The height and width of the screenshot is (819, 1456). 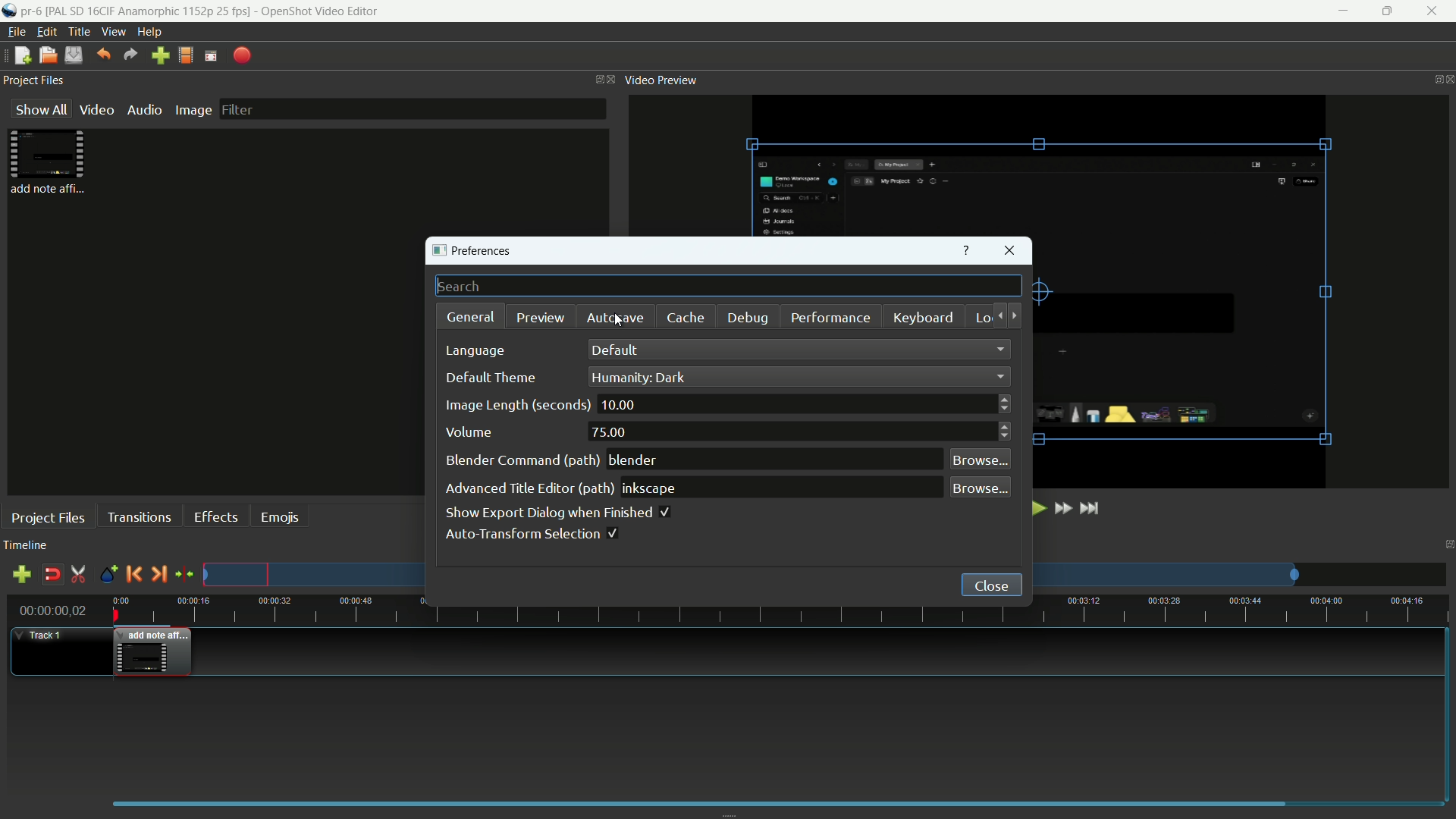 What do you see at coordinates (149, 11) in the screenshot?
I see `profile` at bounding box center [149, 11].